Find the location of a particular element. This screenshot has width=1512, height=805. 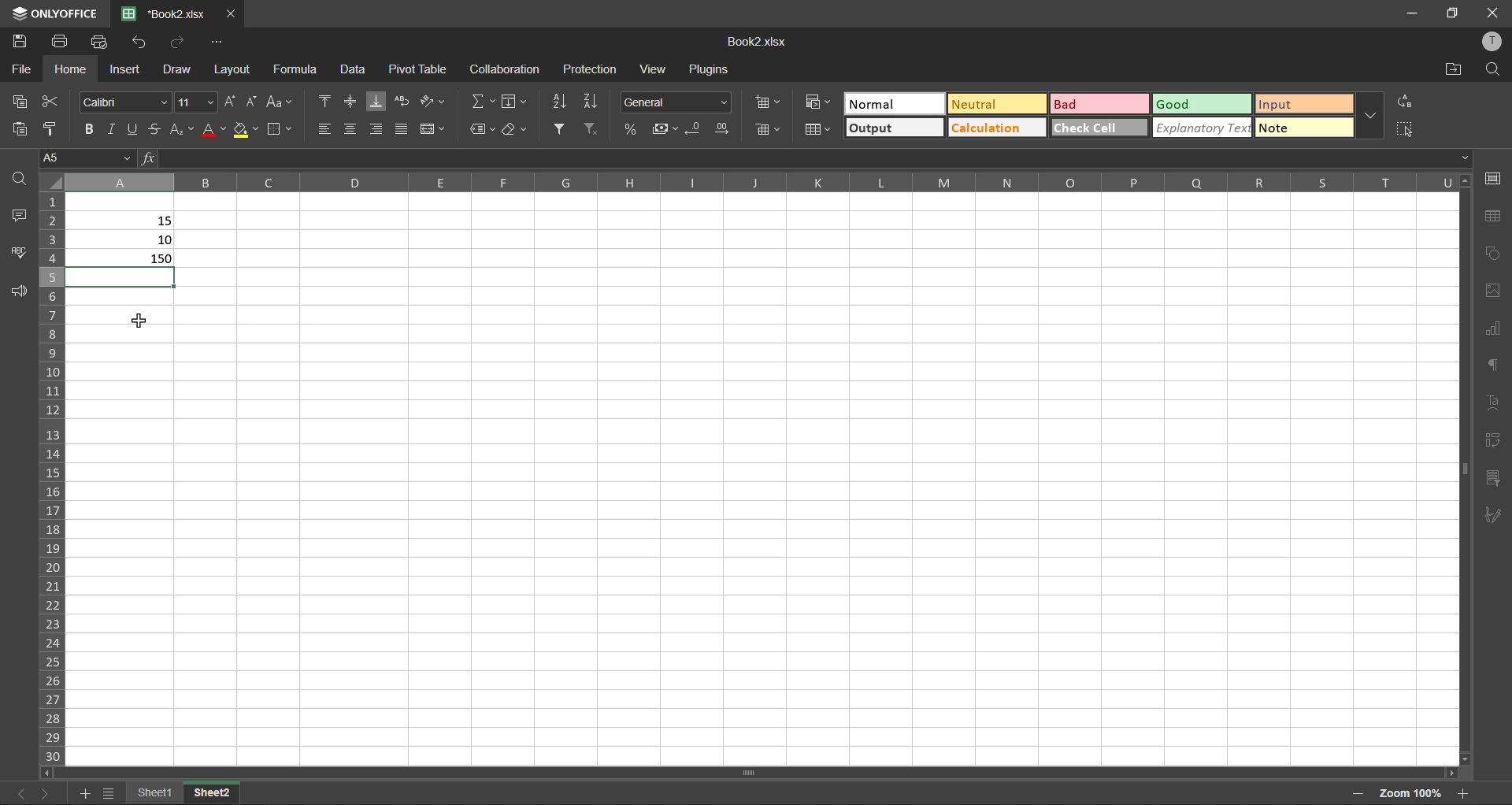

sub/superscript is located at coordinates (183, 128).